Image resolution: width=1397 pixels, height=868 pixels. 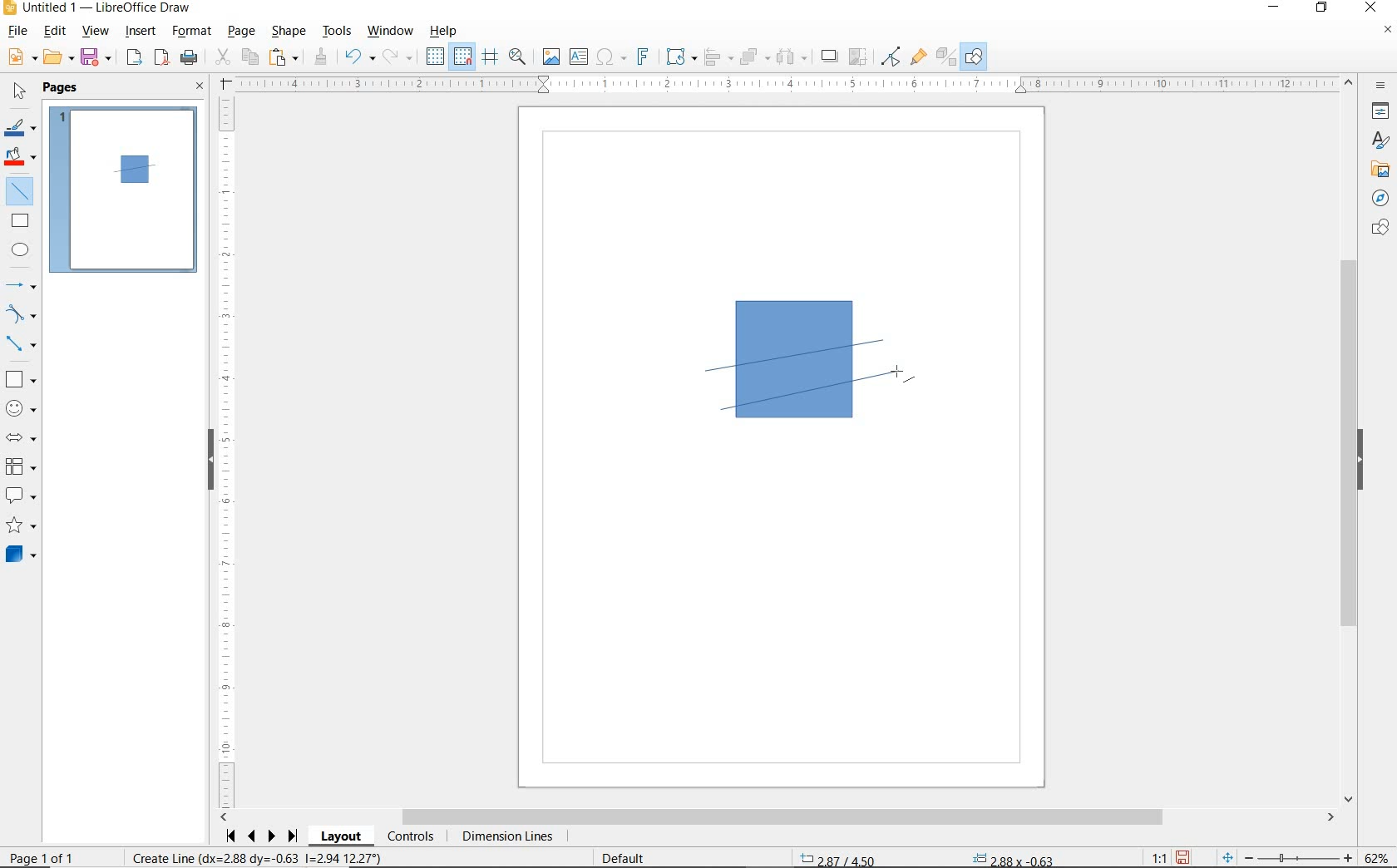 I want to click on LINE ADDED, so click(x=135, y=169).